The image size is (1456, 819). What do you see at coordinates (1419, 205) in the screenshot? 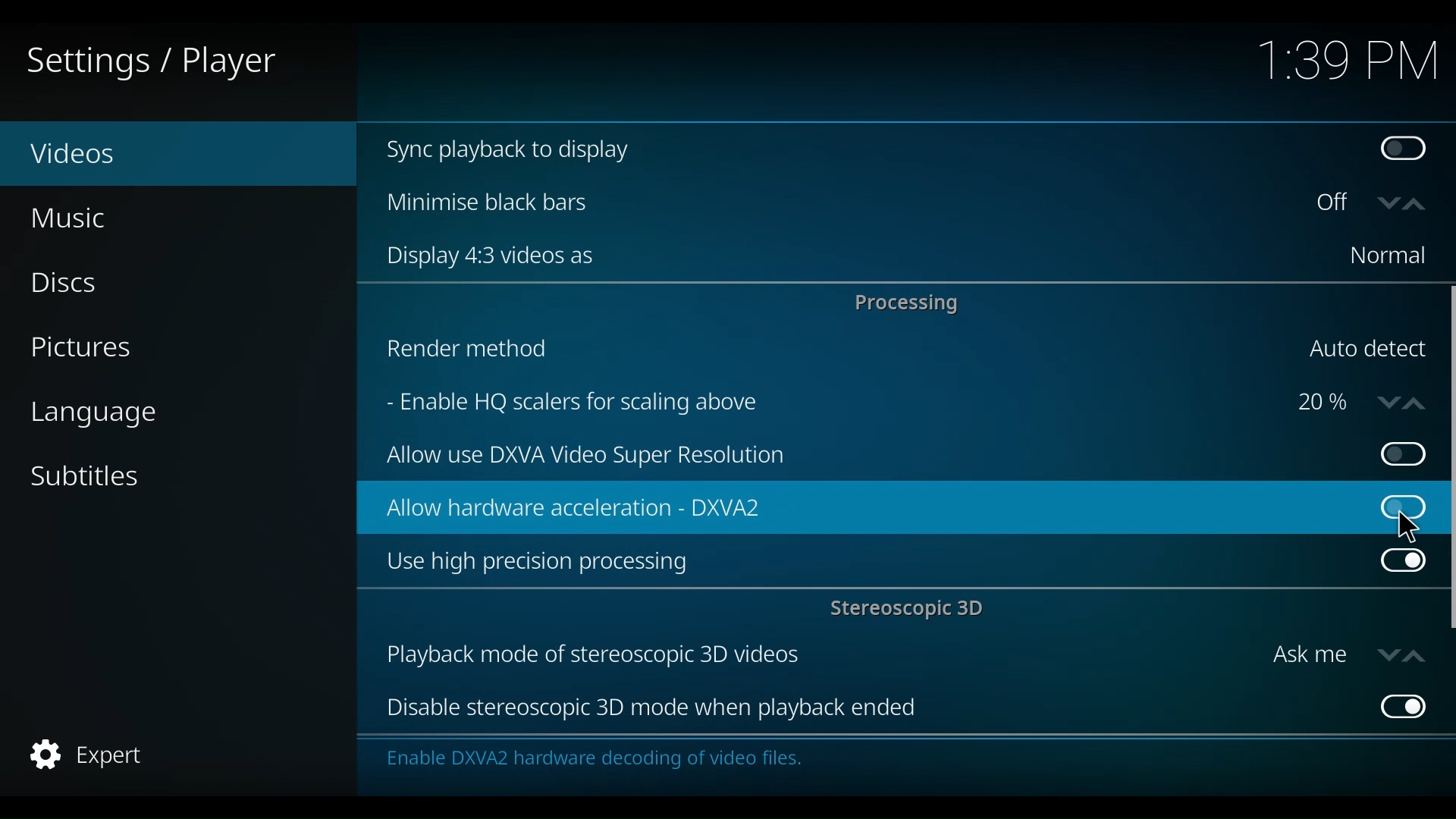
I see `up` at bounding box center [1419, 205].